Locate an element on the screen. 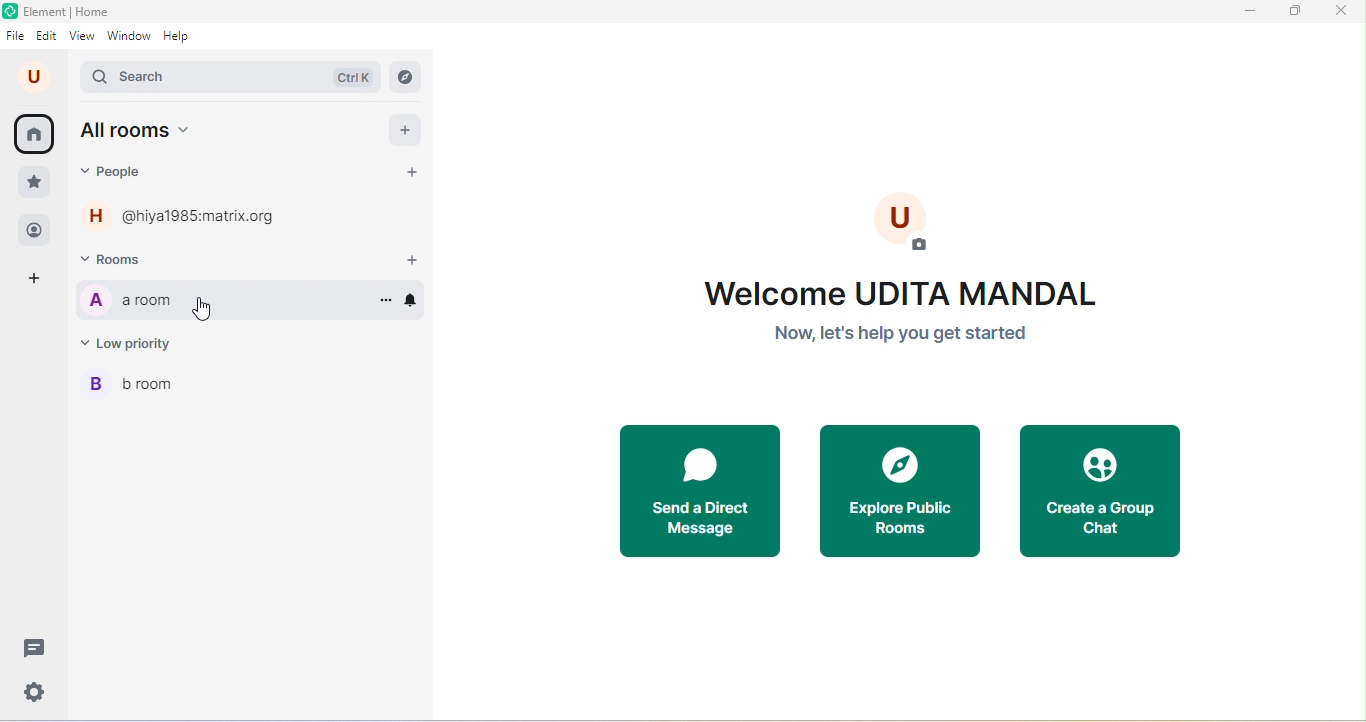  window is located at coordinates (129, 37).